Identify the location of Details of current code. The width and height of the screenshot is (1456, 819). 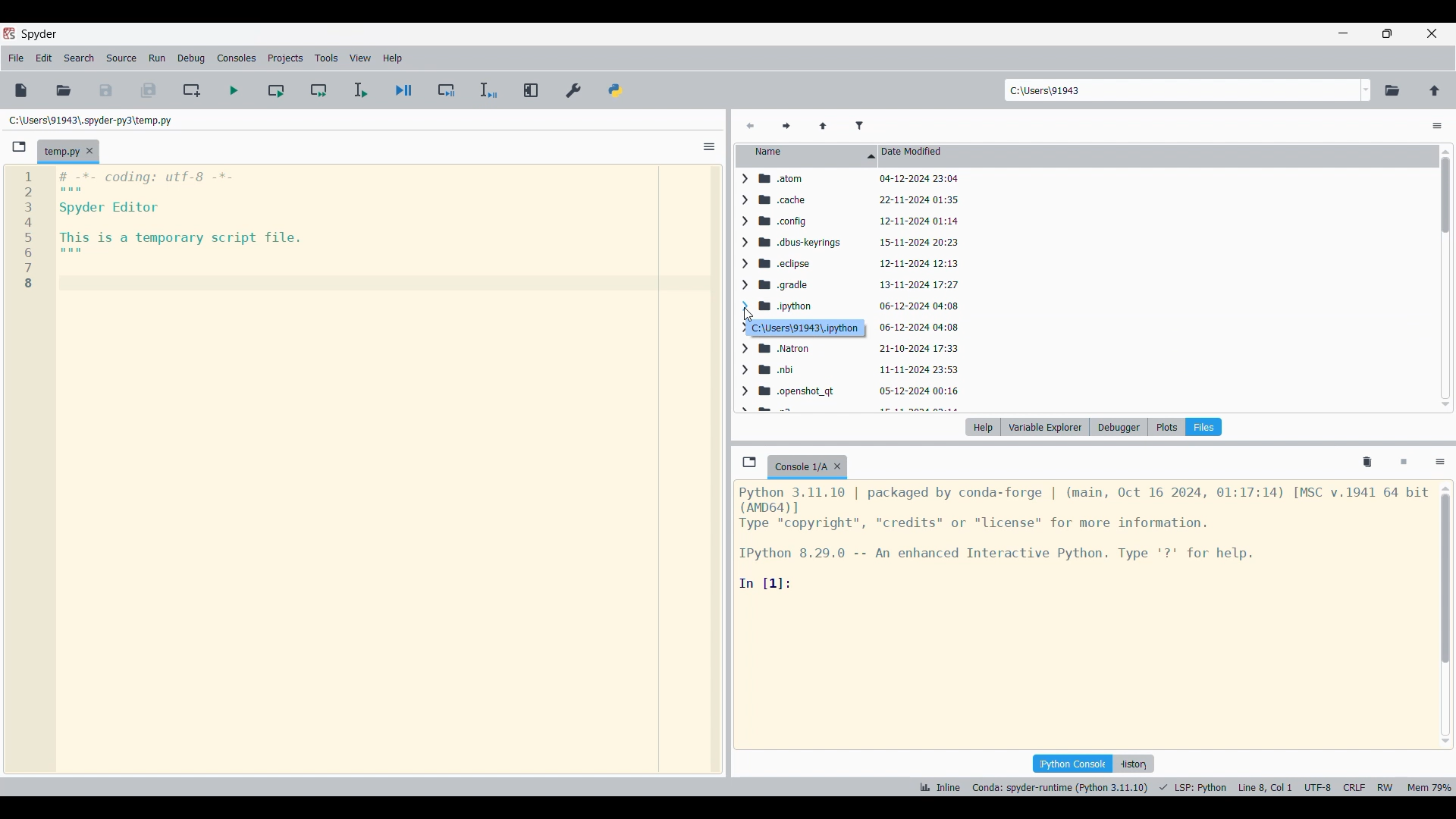
(1185, 787).